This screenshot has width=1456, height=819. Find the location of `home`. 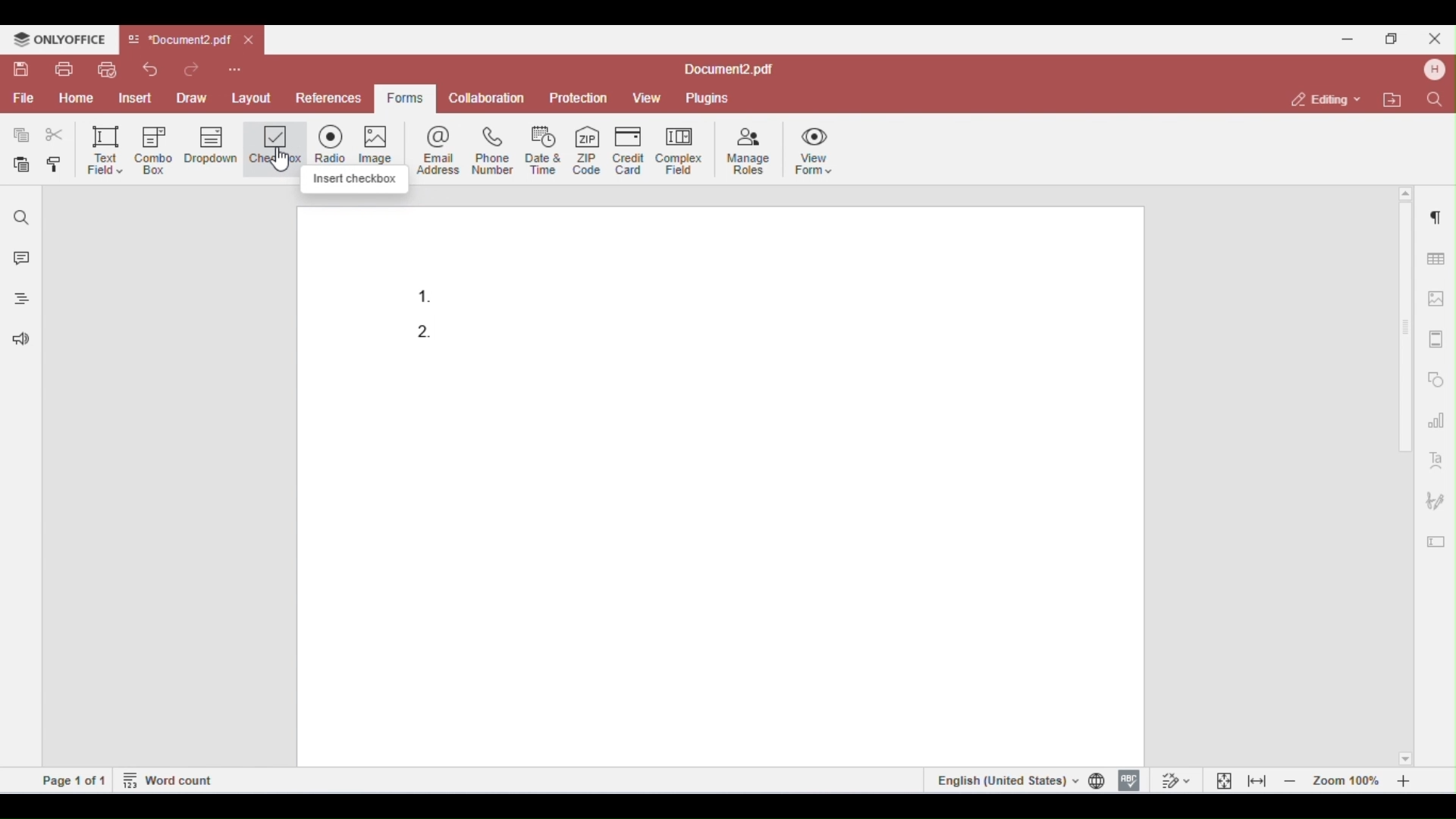

home is located at coordinates (76, 99).